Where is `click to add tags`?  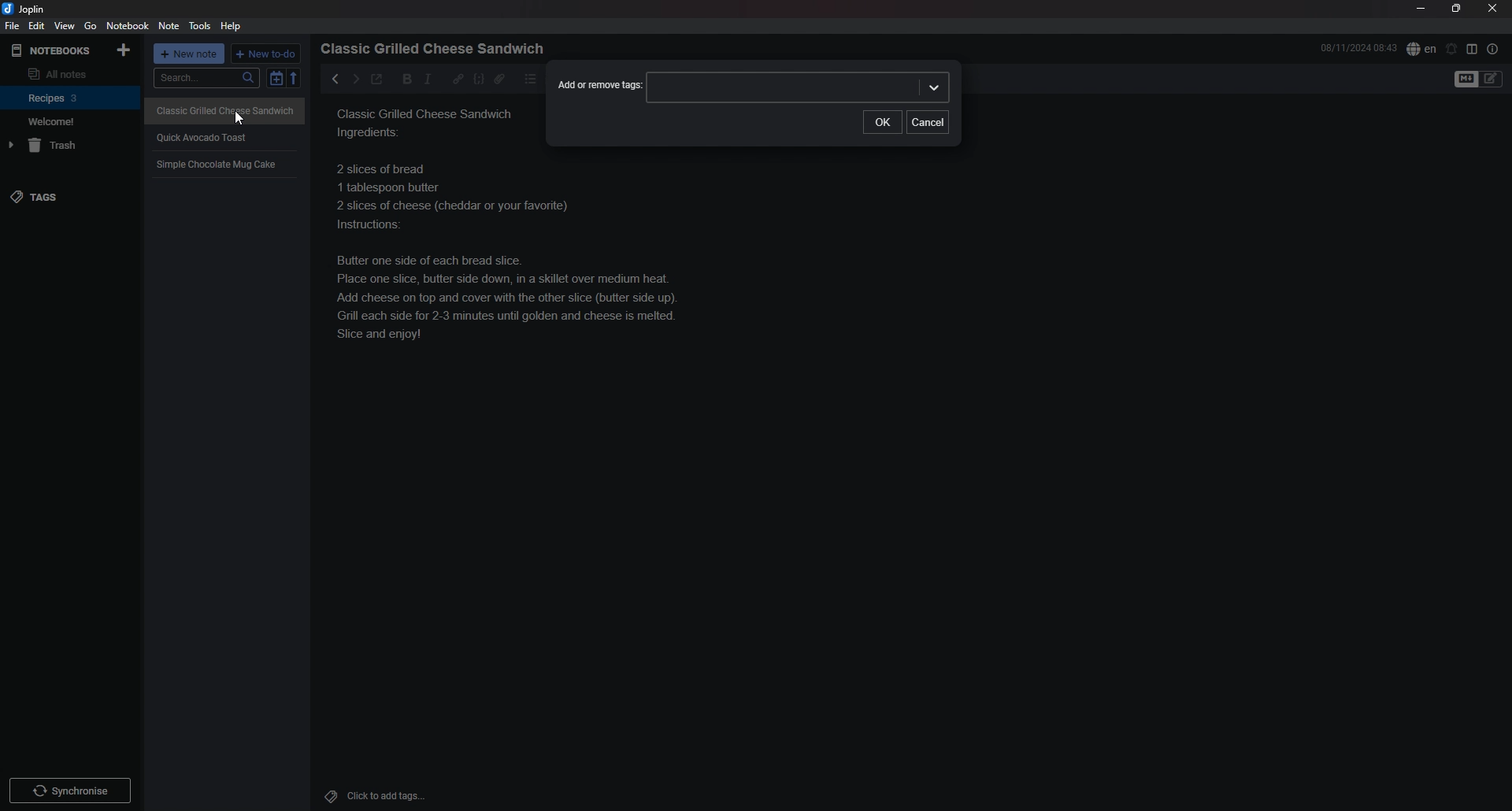
click to add tags is located at coordinates (396, 795).